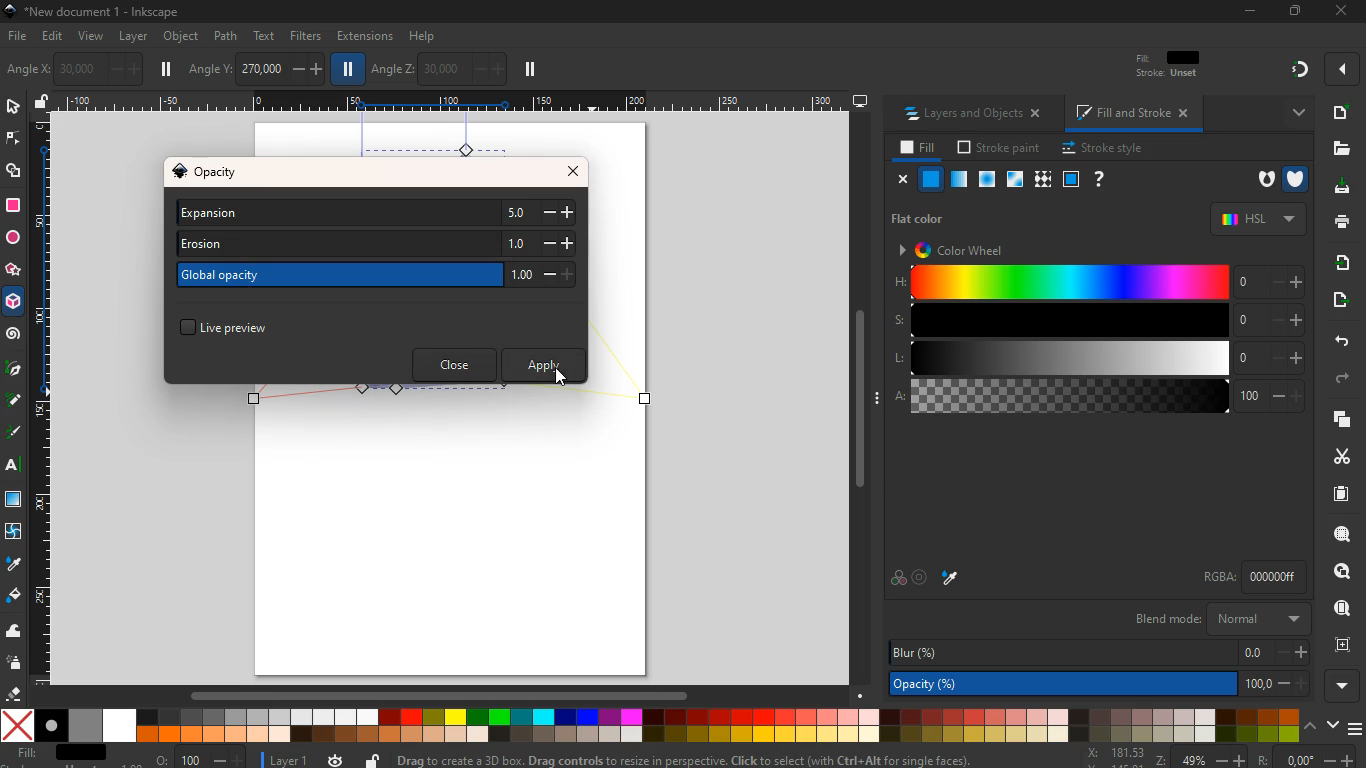  I want to click on file, so click(16, 35).